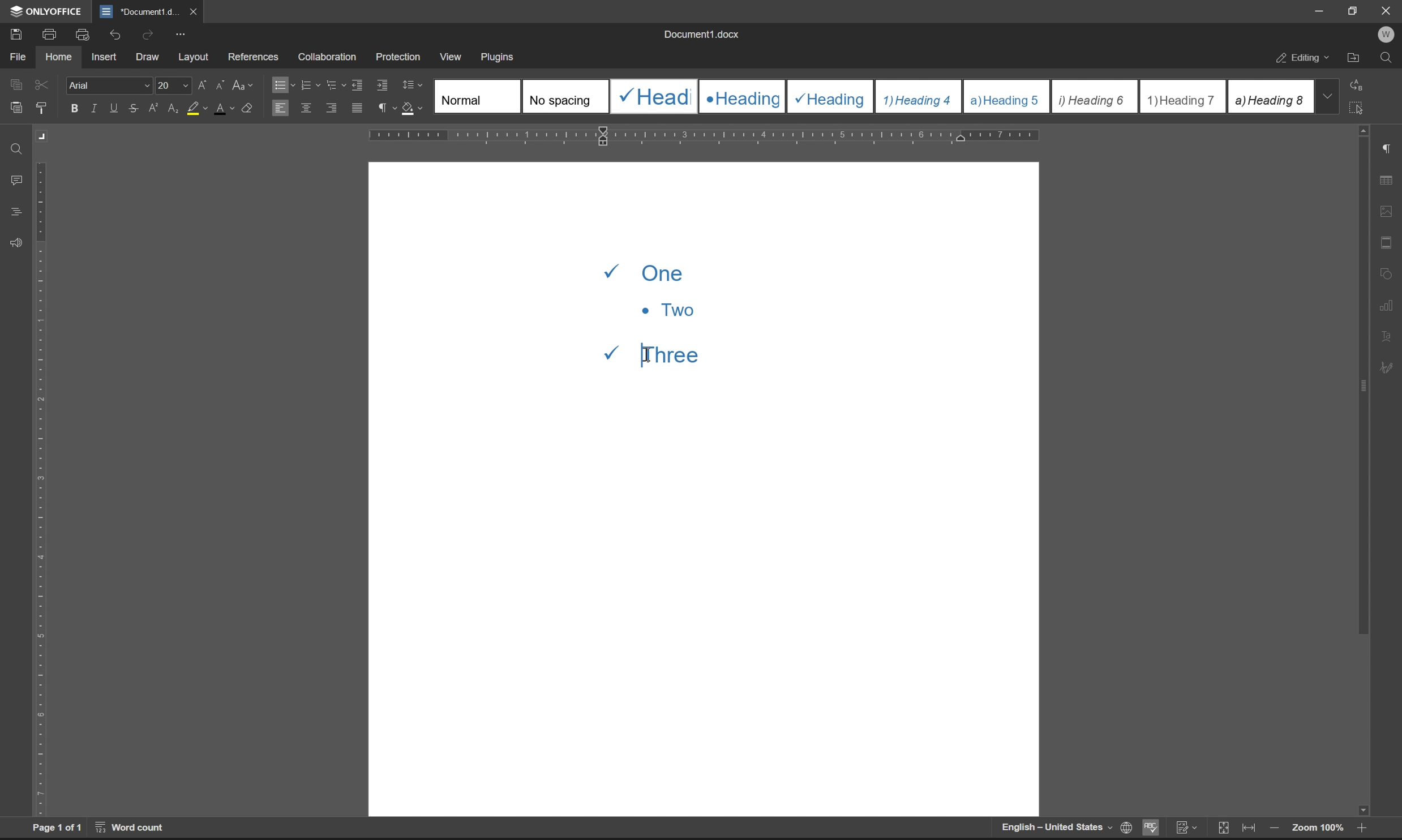  What do you see at coordinates (150, 34) in the screenshot?
I see `redo` at bounding box center [150, 34].